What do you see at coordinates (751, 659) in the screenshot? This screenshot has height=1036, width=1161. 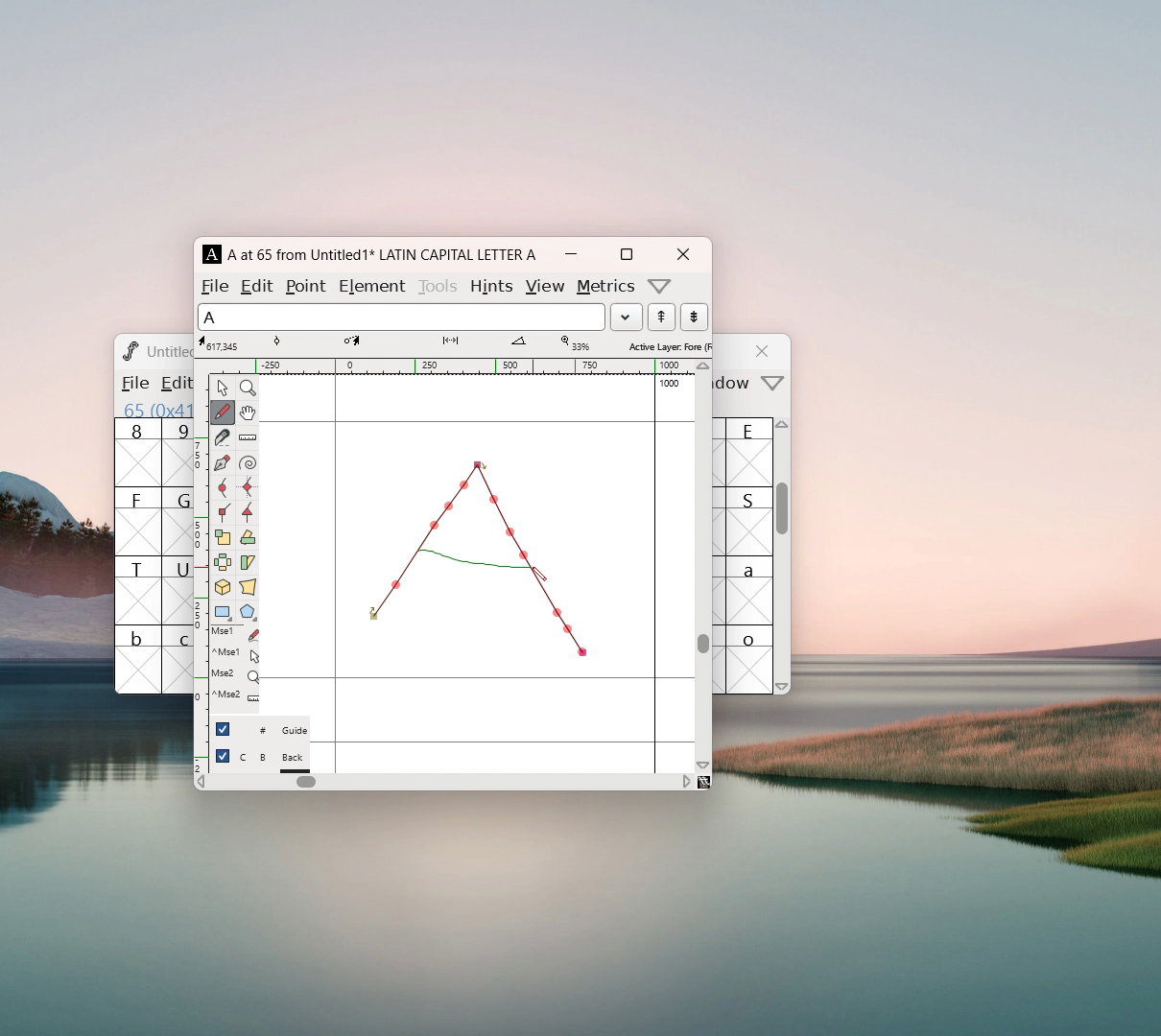 I see `o` at bounding box center [751, 659].